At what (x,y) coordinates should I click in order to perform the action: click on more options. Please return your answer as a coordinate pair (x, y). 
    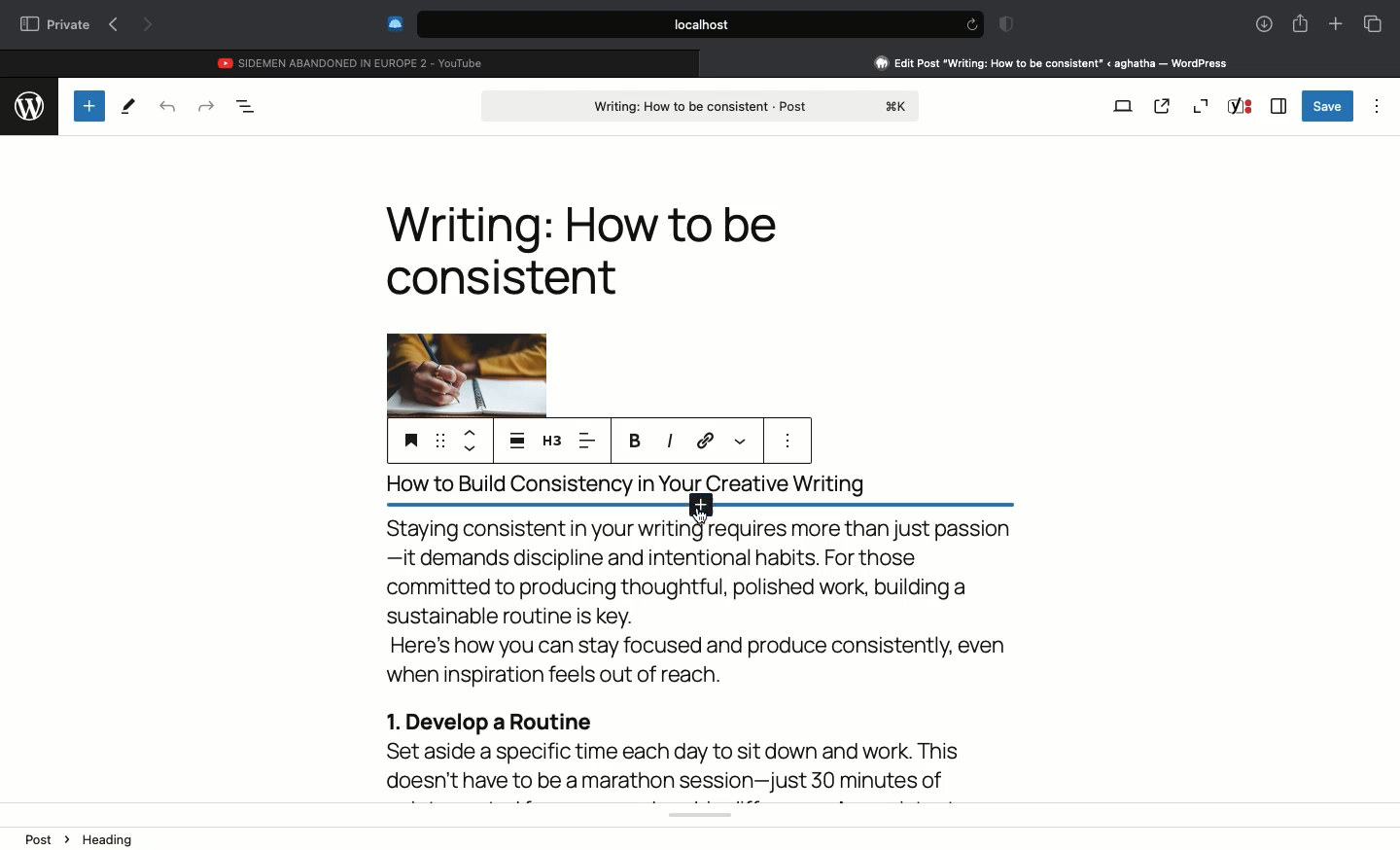
    Looking at the image, I should click on (791, 443).